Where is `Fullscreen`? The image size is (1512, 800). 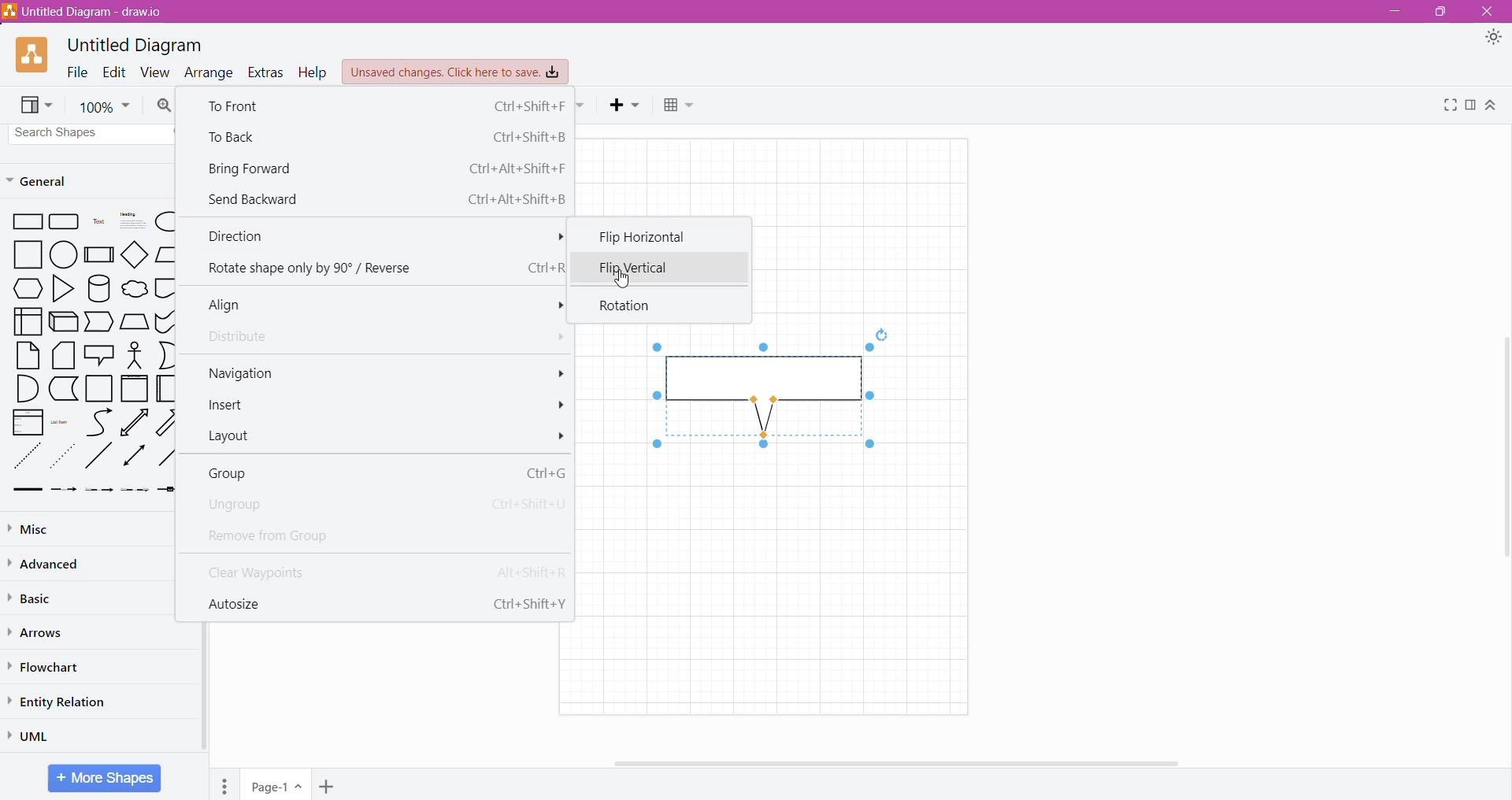 Fullscreen is located at coordinates (1448, 105).